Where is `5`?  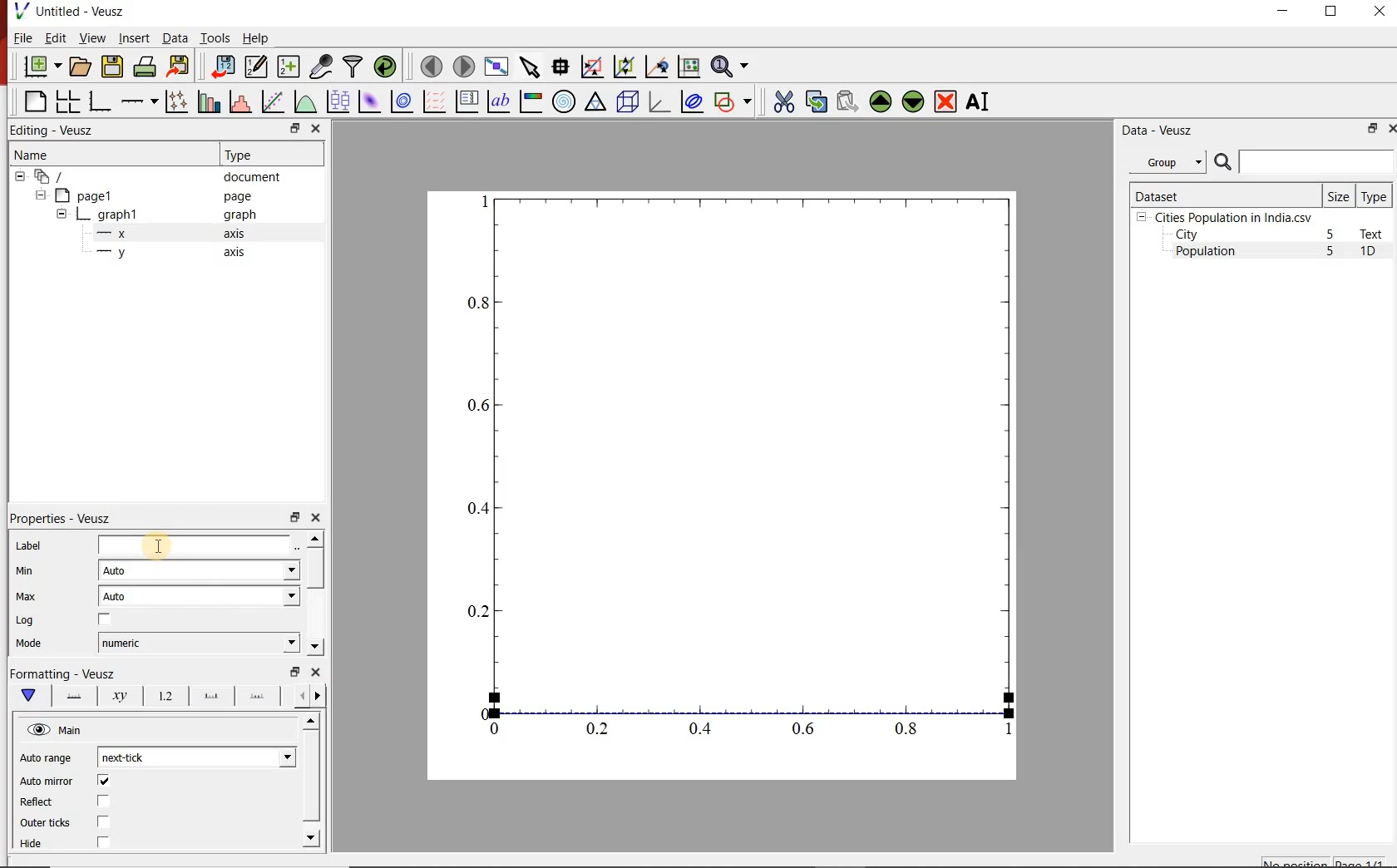
5 is located at coordinates (1331, 235).